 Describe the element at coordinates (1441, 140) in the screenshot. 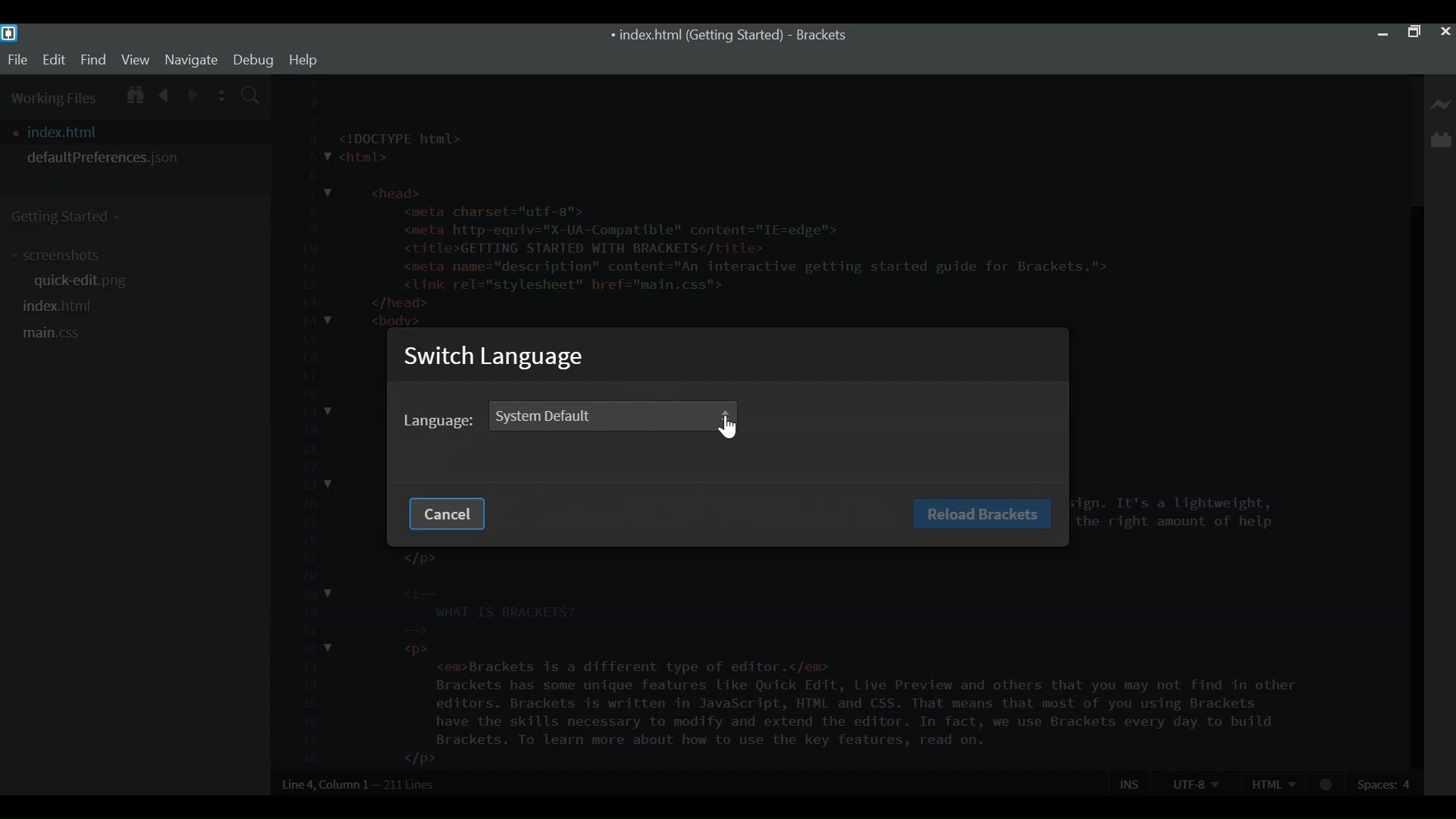

I see `Manage Extensions` at that location.